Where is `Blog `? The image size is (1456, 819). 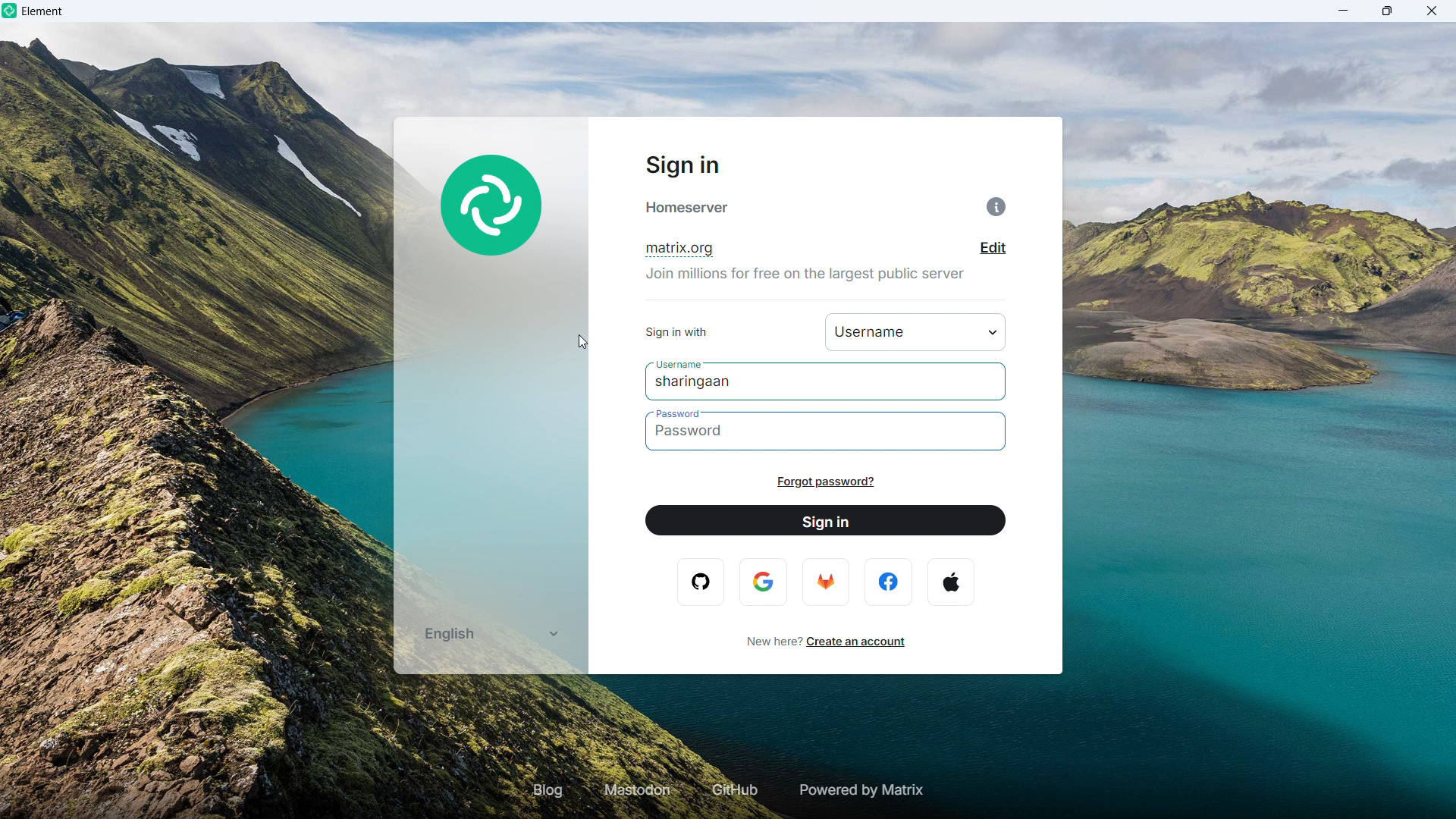 Blog  is located at coordinates (548, 789).